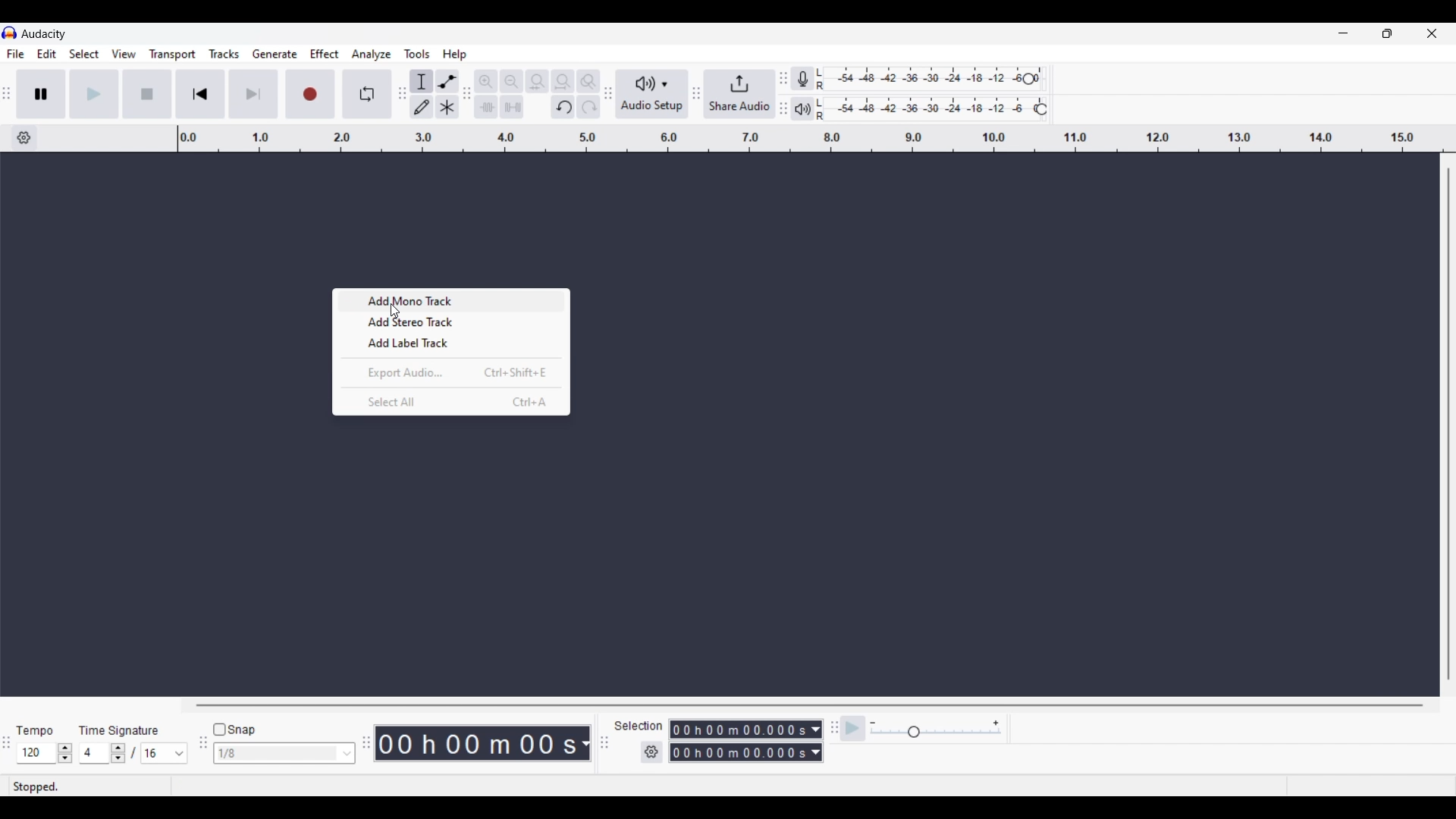  I want to click on Silence audio selection, so click(512, 107).